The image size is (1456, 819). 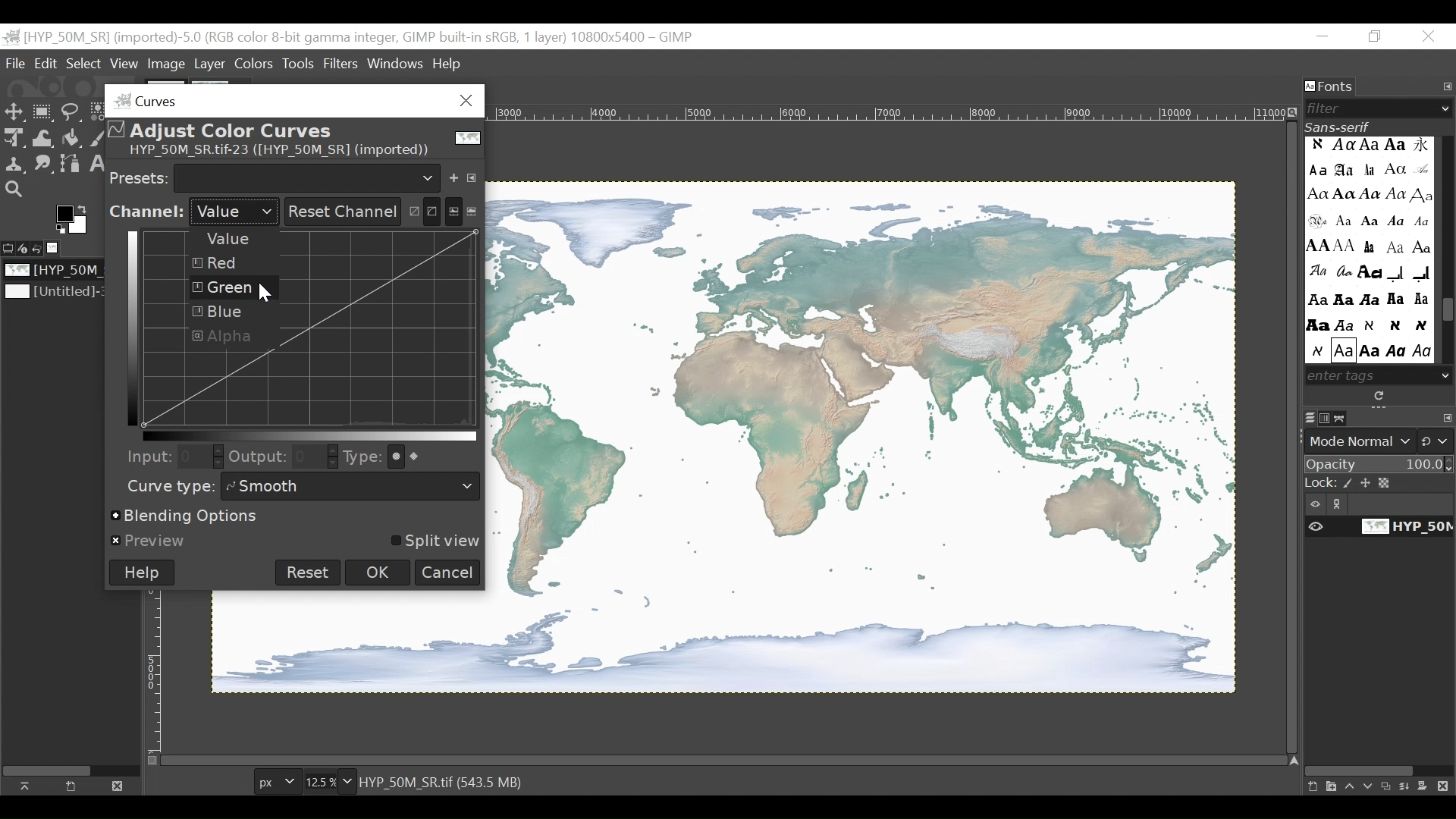 What do you see at coordinates (70, 140) in the screenshot?
I see `Fill` at bounding box center [70, 140].